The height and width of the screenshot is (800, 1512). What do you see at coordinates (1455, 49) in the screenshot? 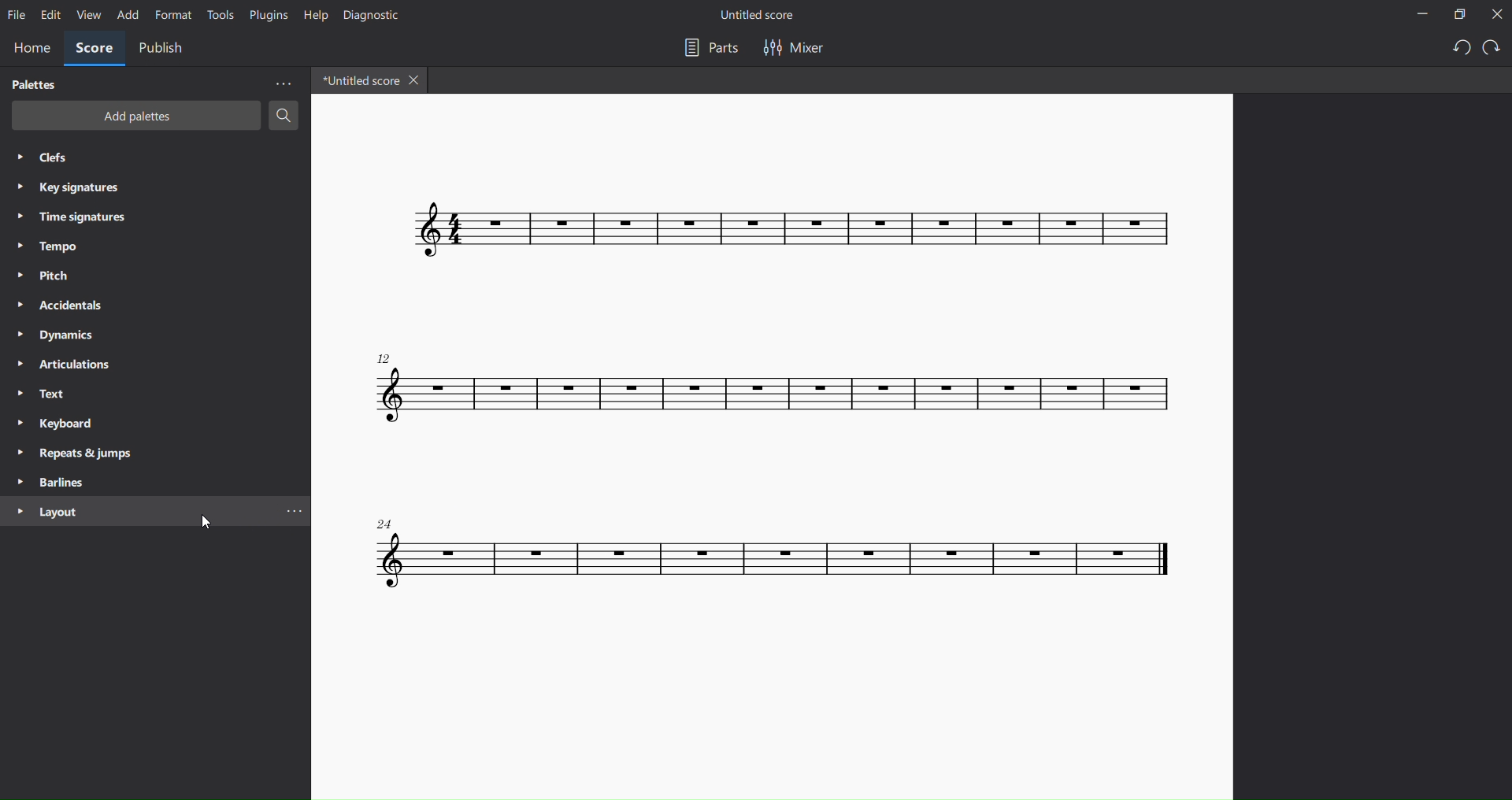
I see `undo` at bounding box center [1455, 49].